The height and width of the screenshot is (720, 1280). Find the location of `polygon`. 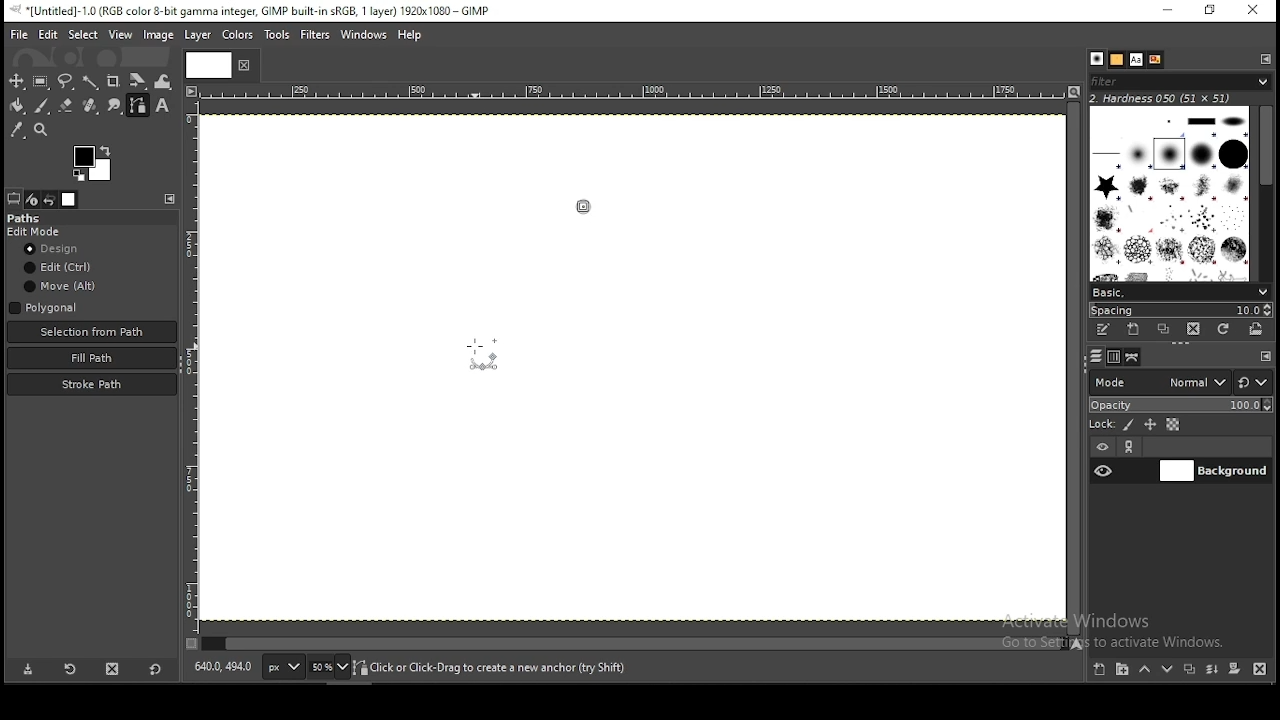

polygon is located at coordinates (45, 307).